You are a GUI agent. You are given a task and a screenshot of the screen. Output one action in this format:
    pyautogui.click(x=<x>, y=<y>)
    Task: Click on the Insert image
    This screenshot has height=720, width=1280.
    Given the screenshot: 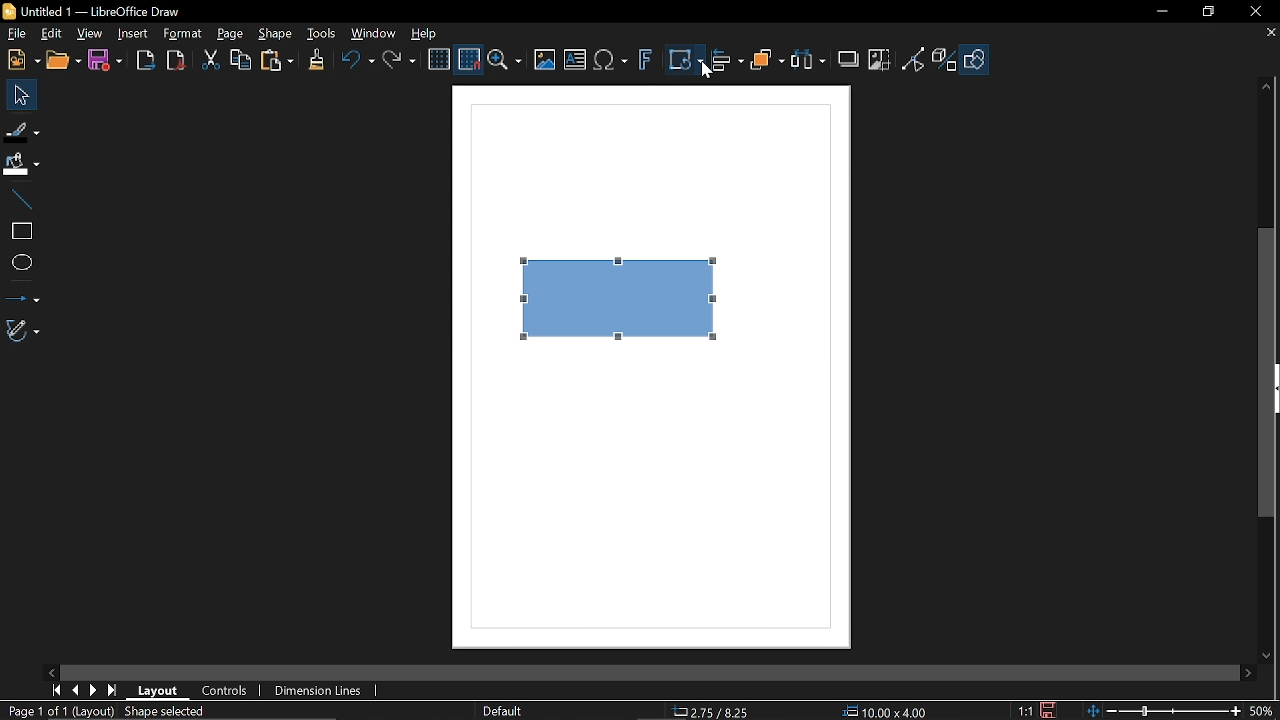 What is the action you would take?
    pyautogui.click(x=545, y=61)
    